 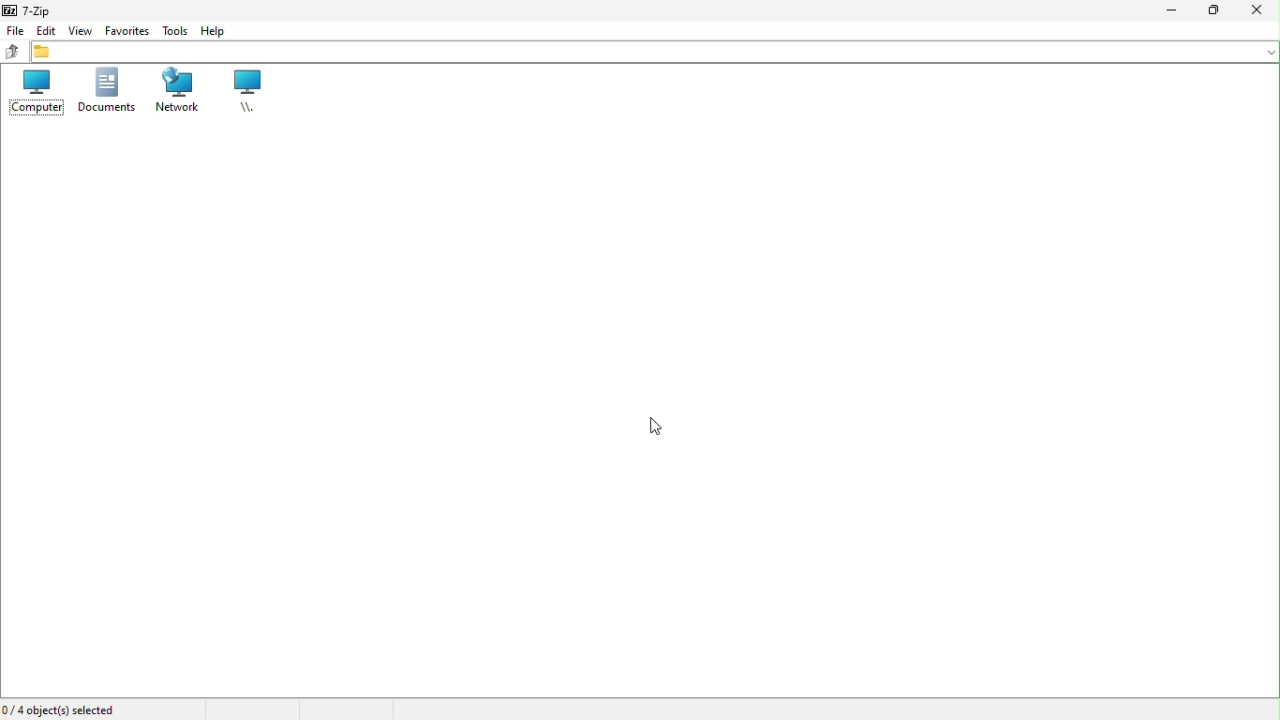 I want to click on Four object selected, so click(x=74, y=709).